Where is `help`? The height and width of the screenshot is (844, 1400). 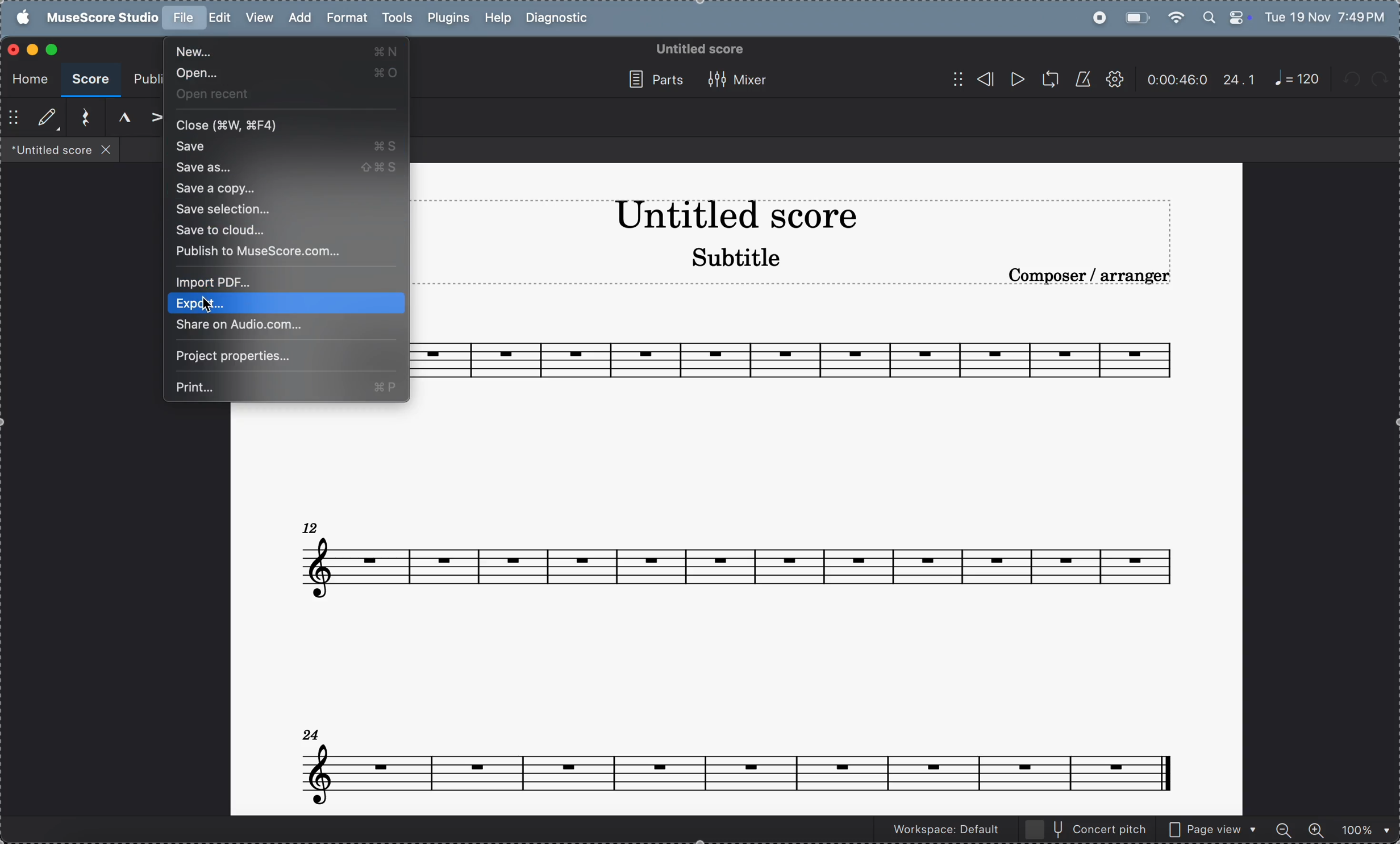 help is located at coordinates (497, 19).